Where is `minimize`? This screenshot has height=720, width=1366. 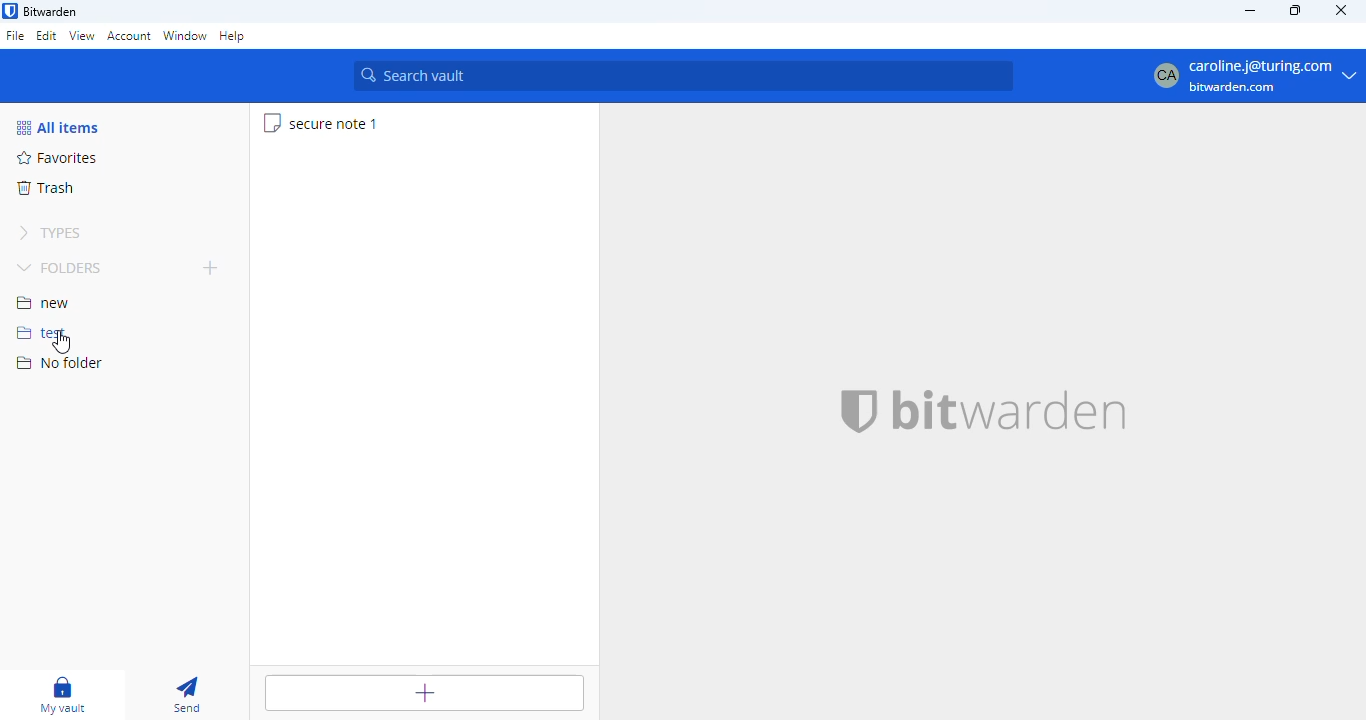
minimize is located at coordinates (1250, 11).